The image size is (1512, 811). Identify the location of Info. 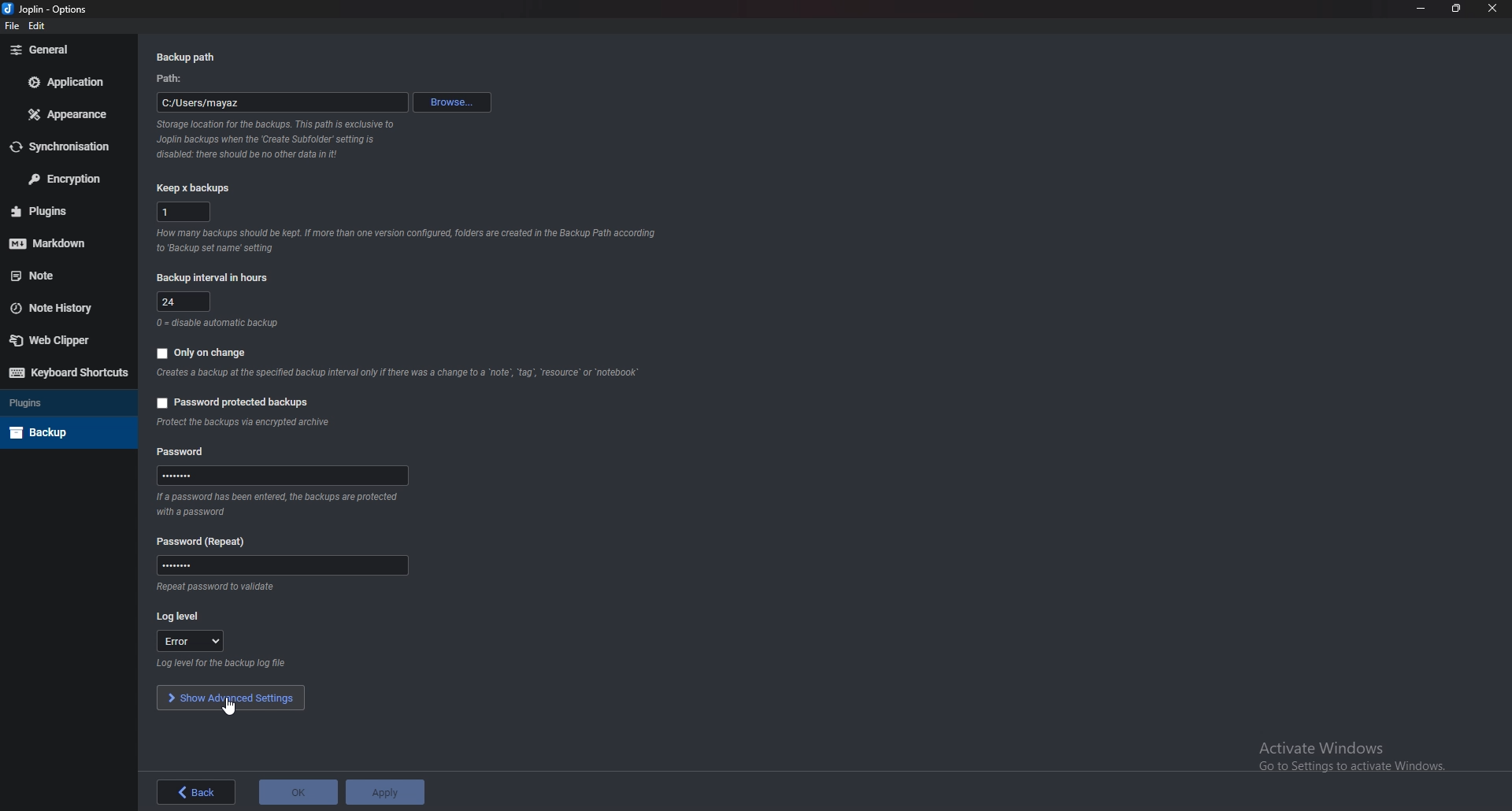
(283, 505).